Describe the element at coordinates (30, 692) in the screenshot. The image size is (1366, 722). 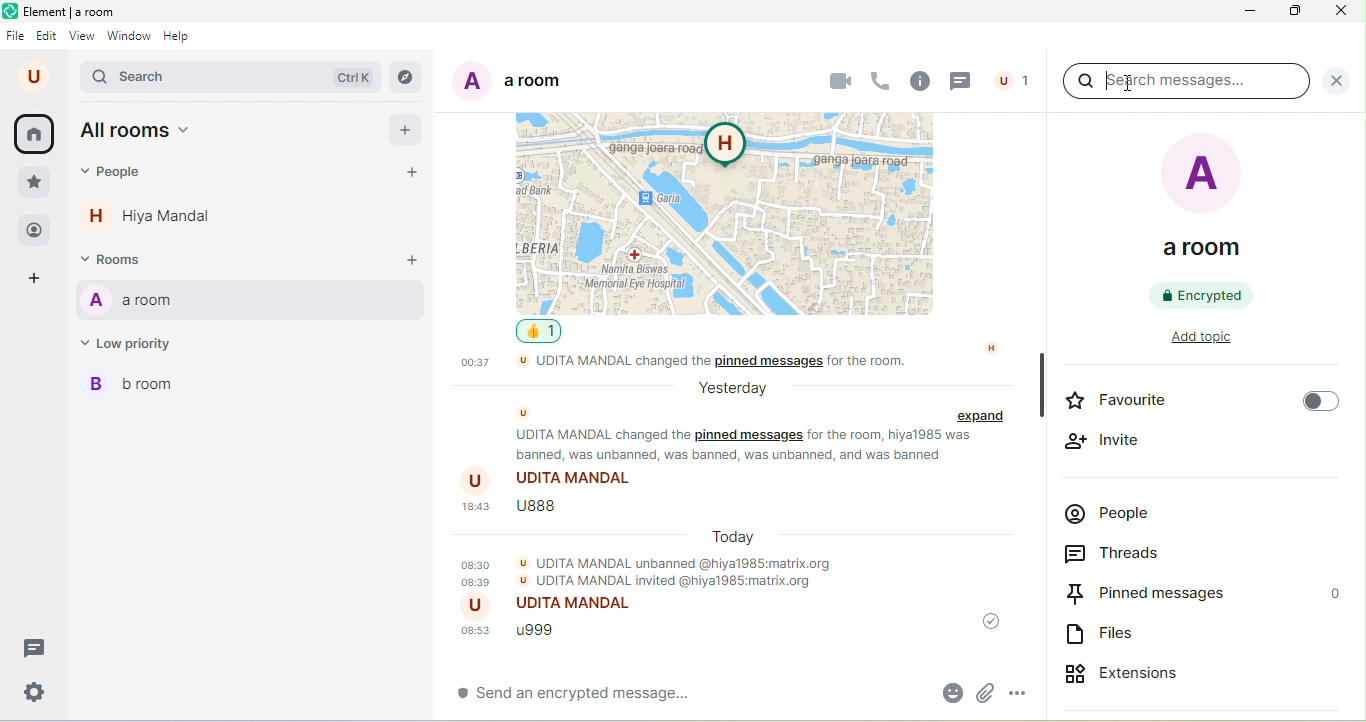
I see `quick settings` at that location.